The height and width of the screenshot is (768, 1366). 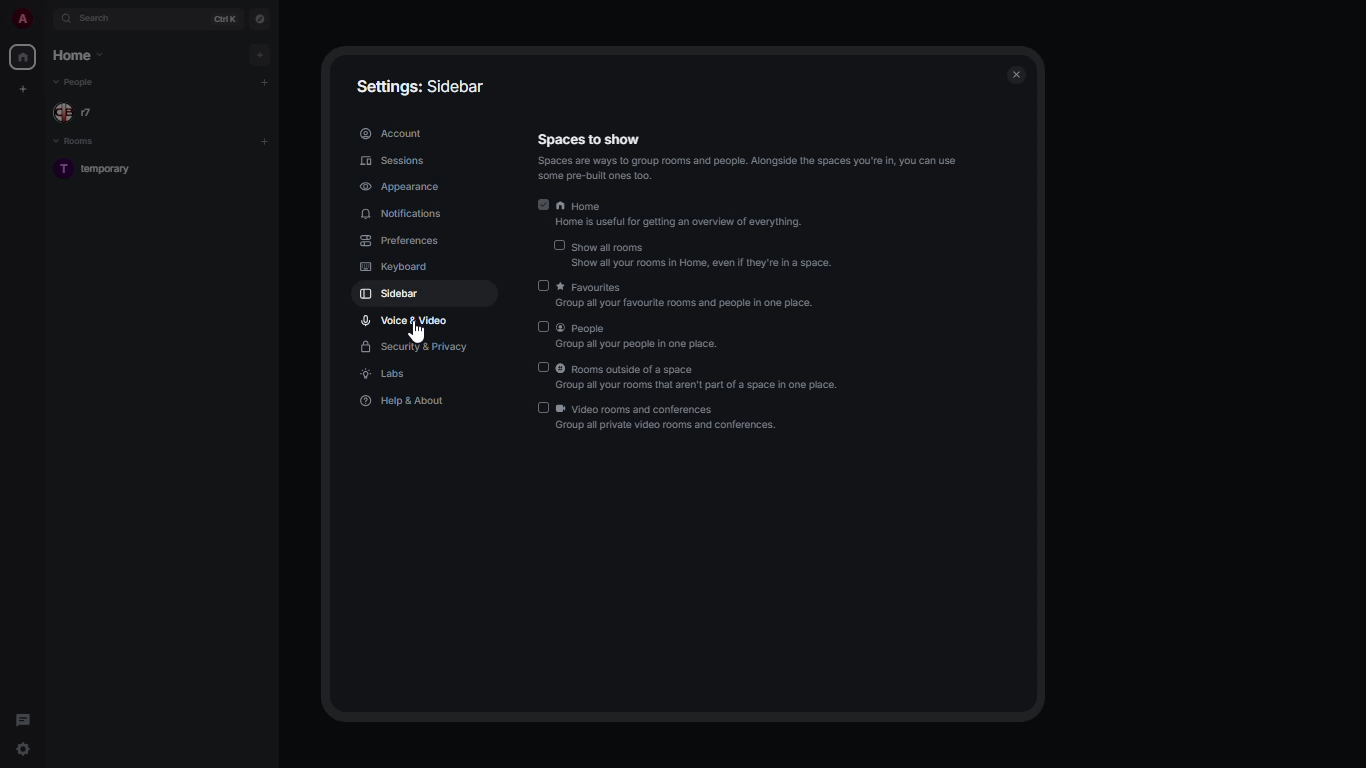 I want to click on sessions, so click(x=398, y=162).